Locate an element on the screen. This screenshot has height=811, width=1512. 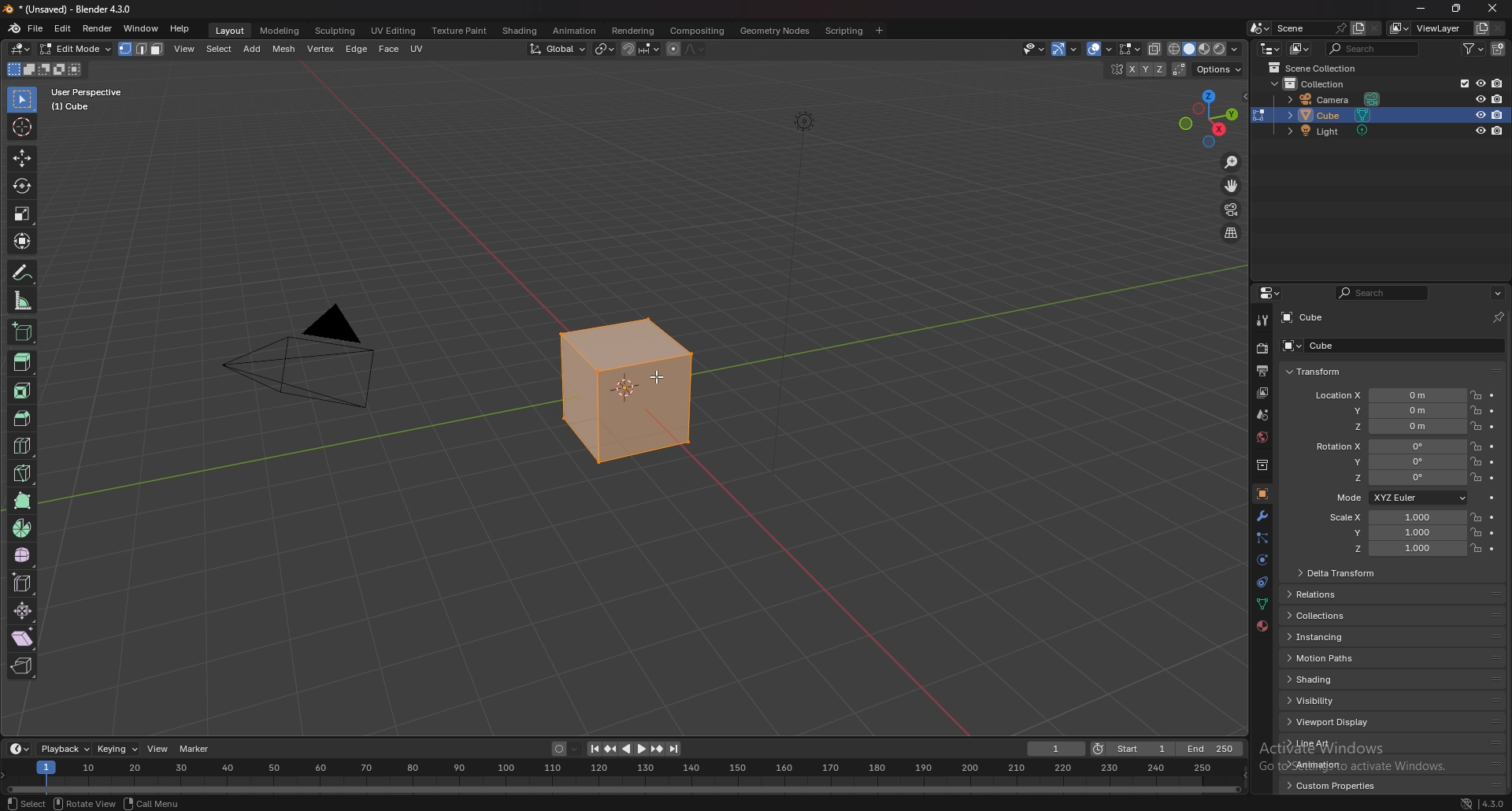
toggle xray is located at coordinates (1154, 50).